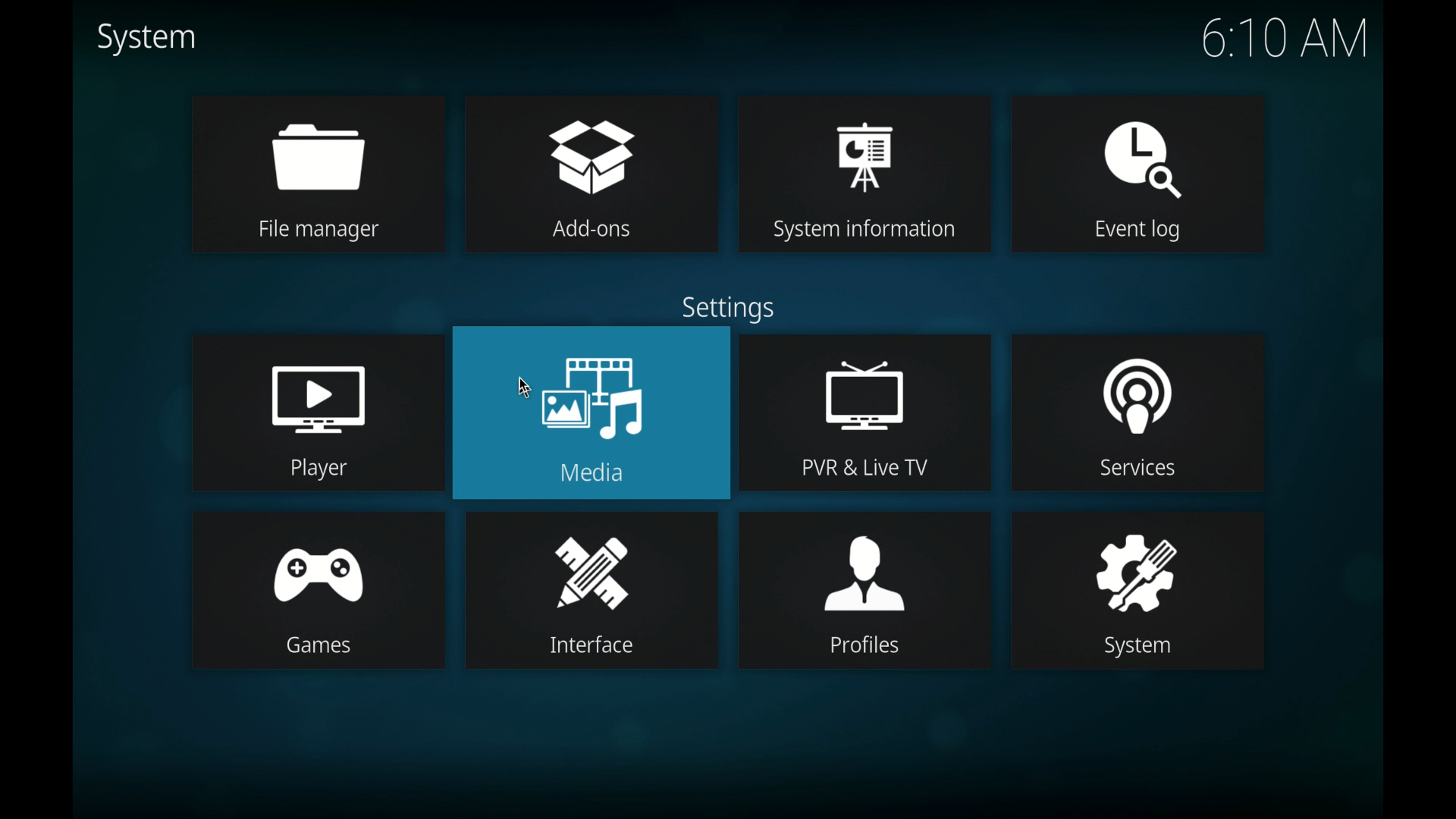 The image size is (1456, 819). I want to click on file manager, so click(318, 174).